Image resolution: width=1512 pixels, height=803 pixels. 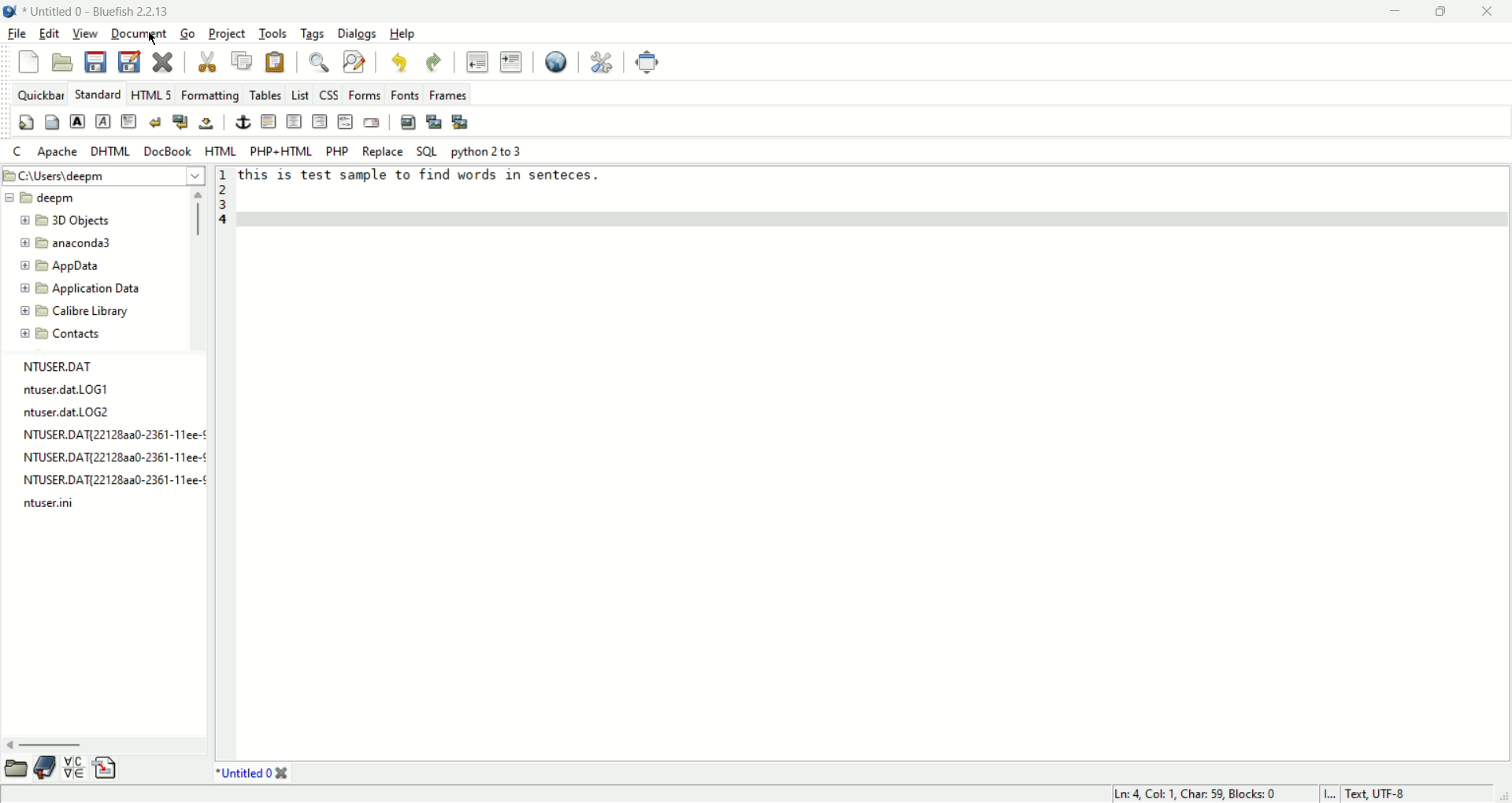 I want to click on PHP+HTML, so click(x=281, y=151).